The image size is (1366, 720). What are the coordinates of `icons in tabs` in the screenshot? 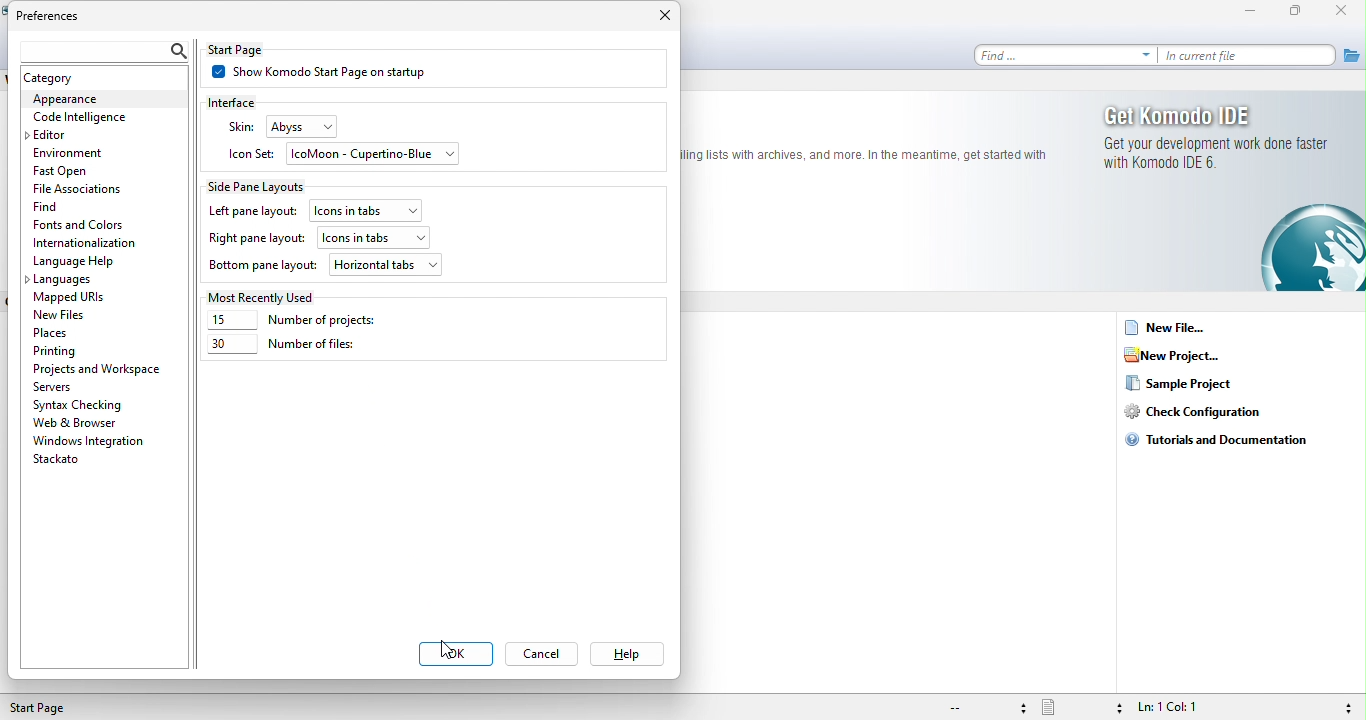 It's located at (374, 235).